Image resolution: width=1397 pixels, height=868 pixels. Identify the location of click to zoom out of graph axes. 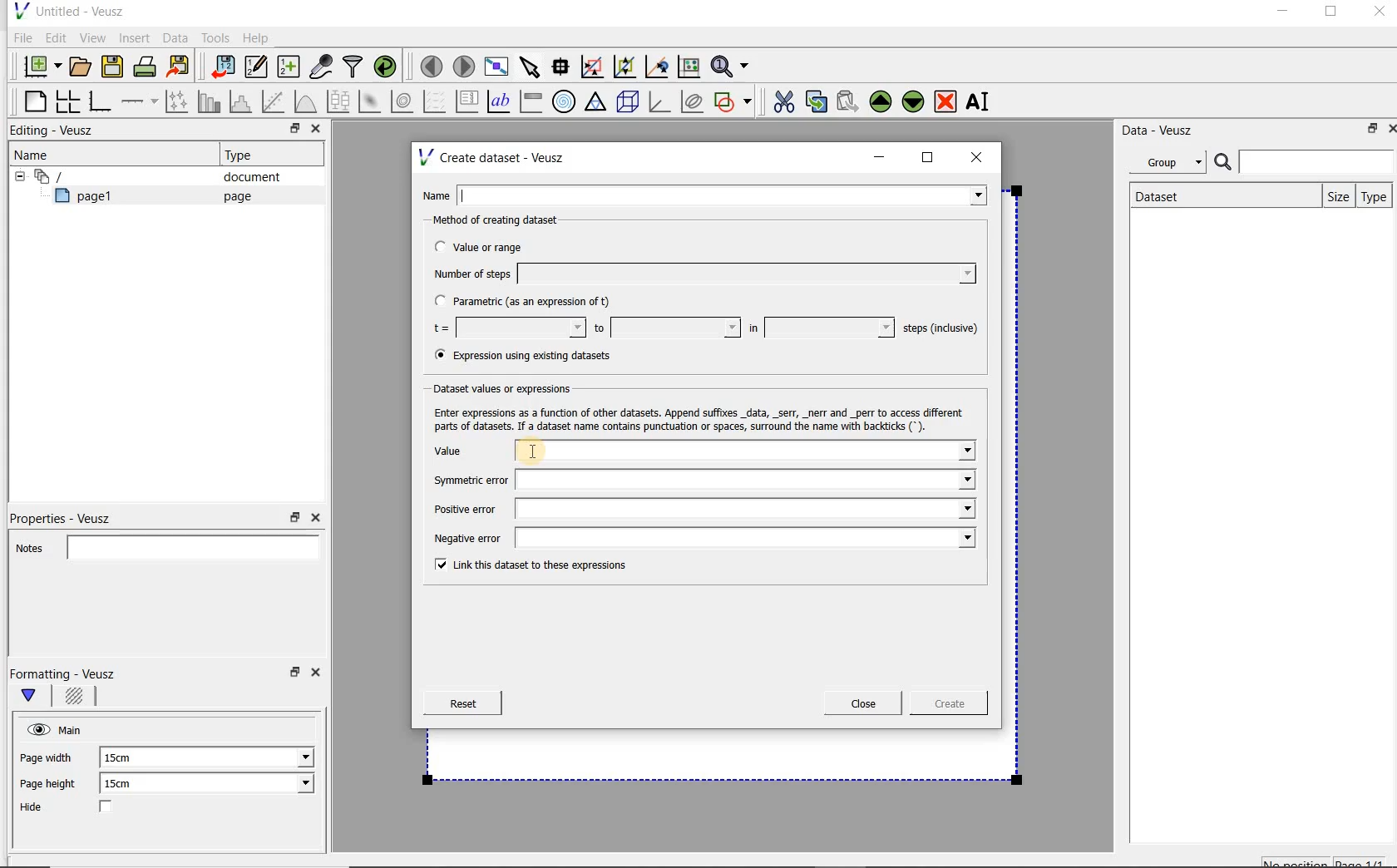
(625, 67).